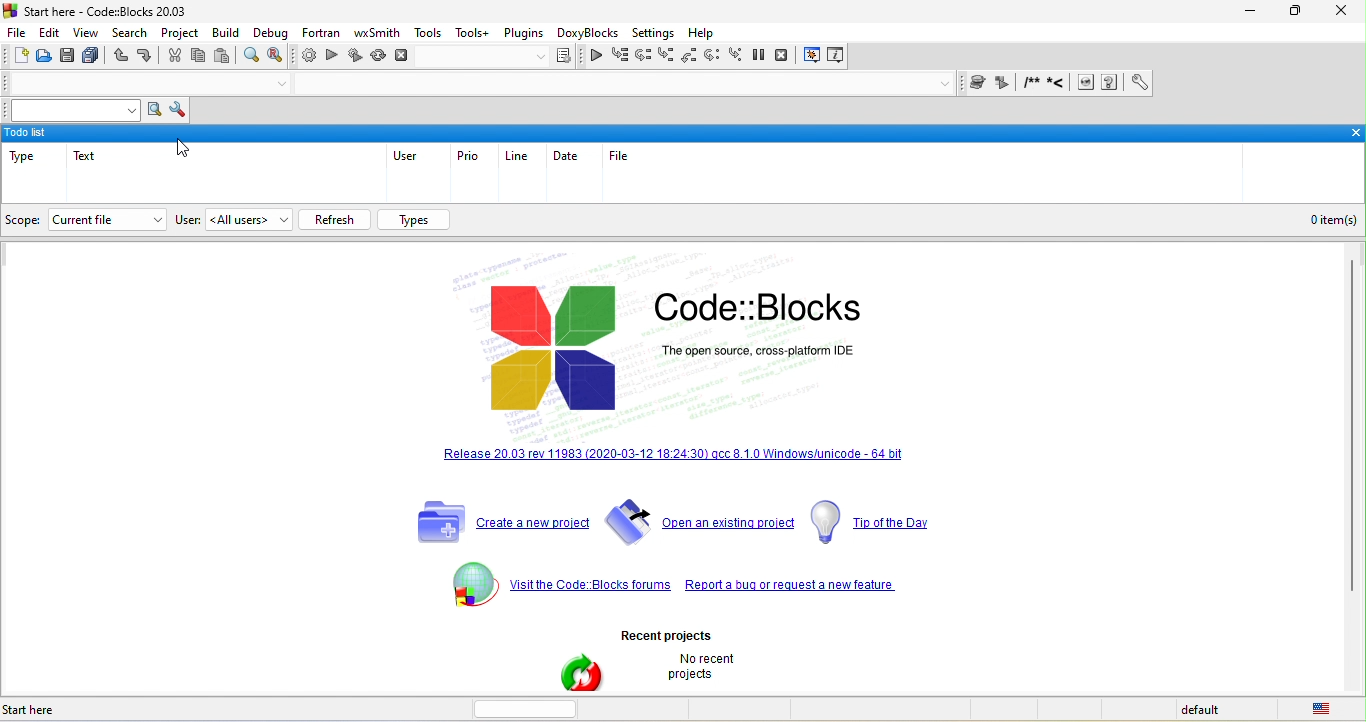 The height and width of the screenshot is (722, 1366). I want to click on run to cursor, so click(620, 56).